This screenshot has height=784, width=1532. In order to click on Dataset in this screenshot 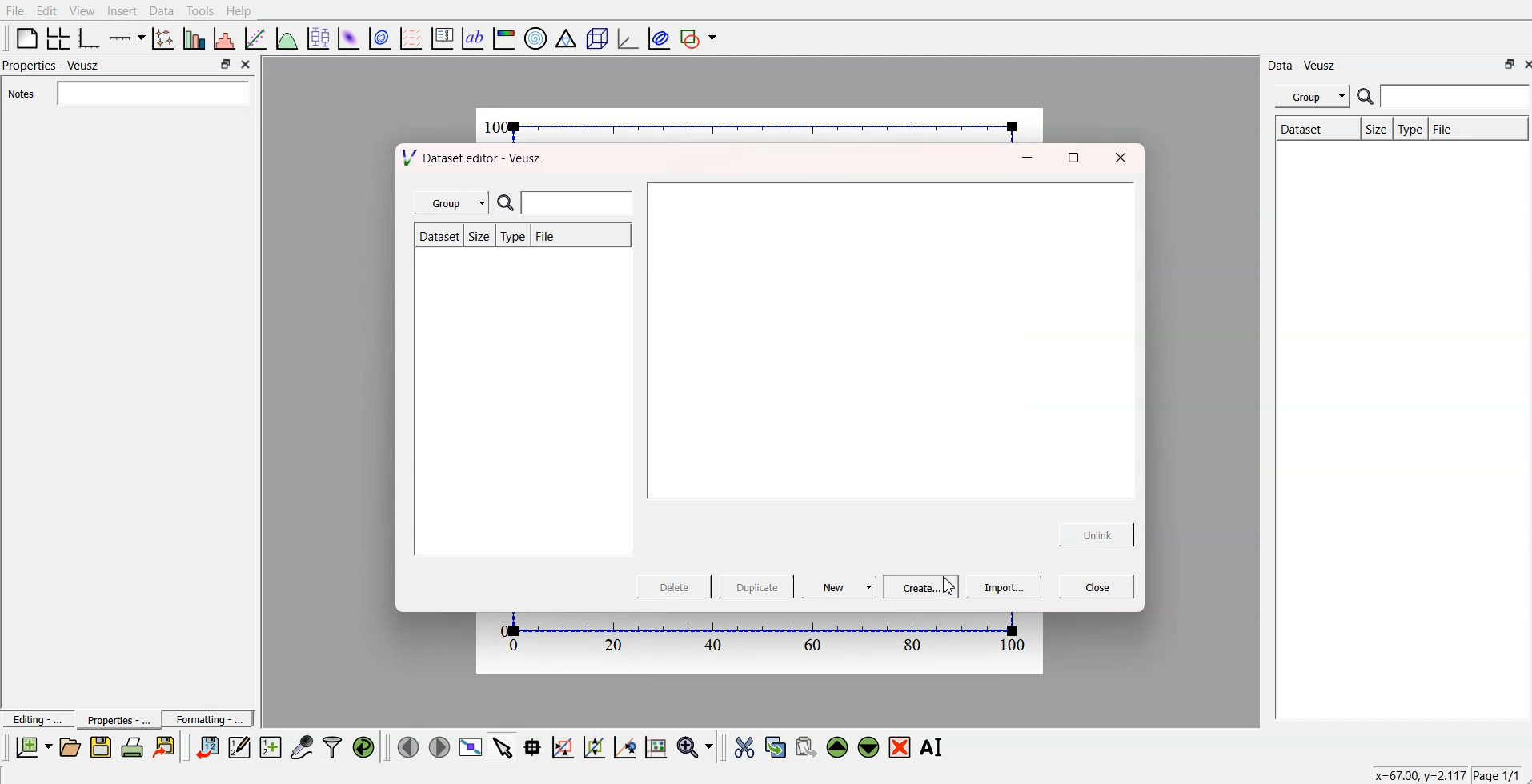, I will do `click(437, 235)`.